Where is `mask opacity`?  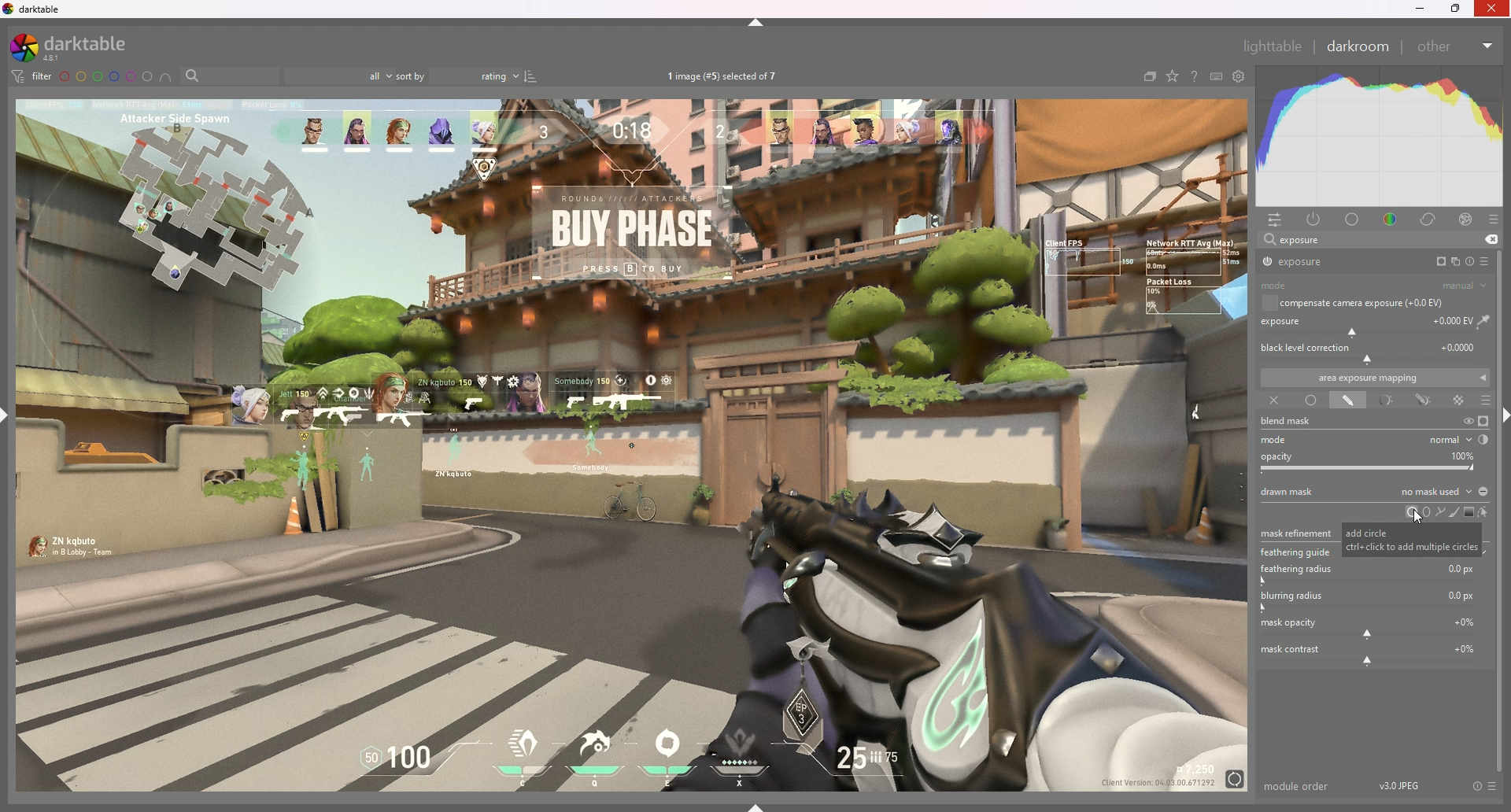 mask opacity is located at coordinates (1372, 627).